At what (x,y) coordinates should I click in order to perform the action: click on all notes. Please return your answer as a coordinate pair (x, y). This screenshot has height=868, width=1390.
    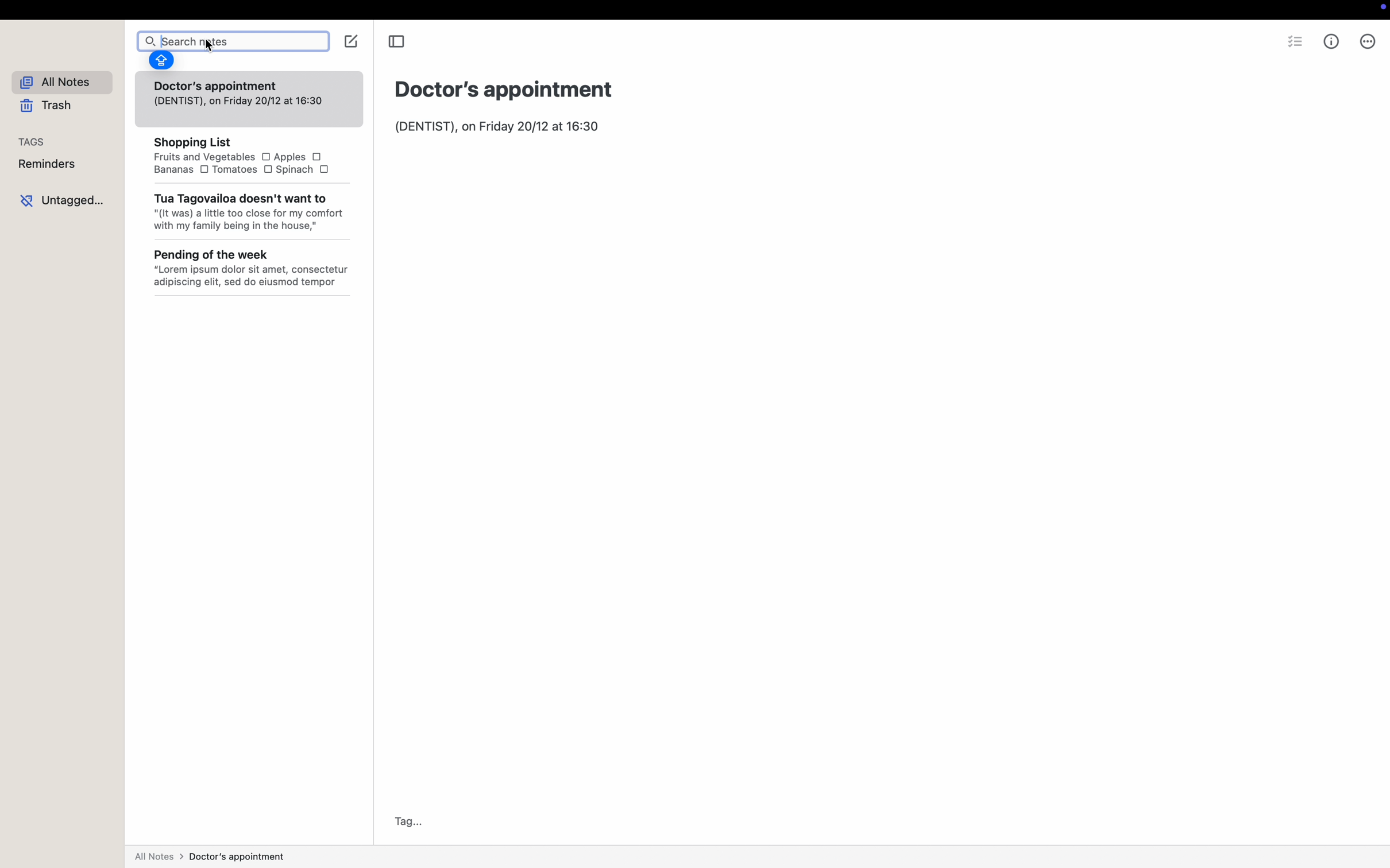
    Looking at the image, I should click on (61, 83).